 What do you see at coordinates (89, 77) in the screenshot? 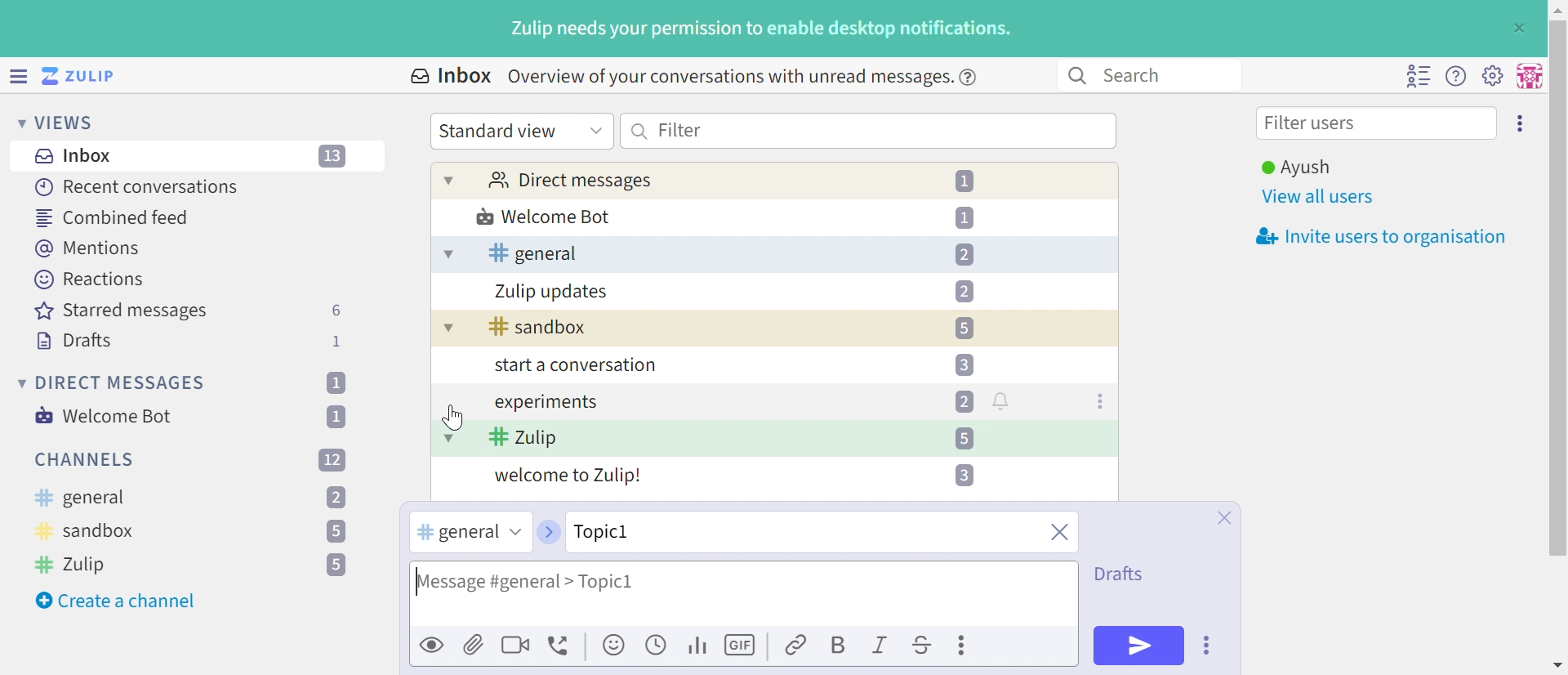
I see `ZULIP` at bounding box center [89, 77].